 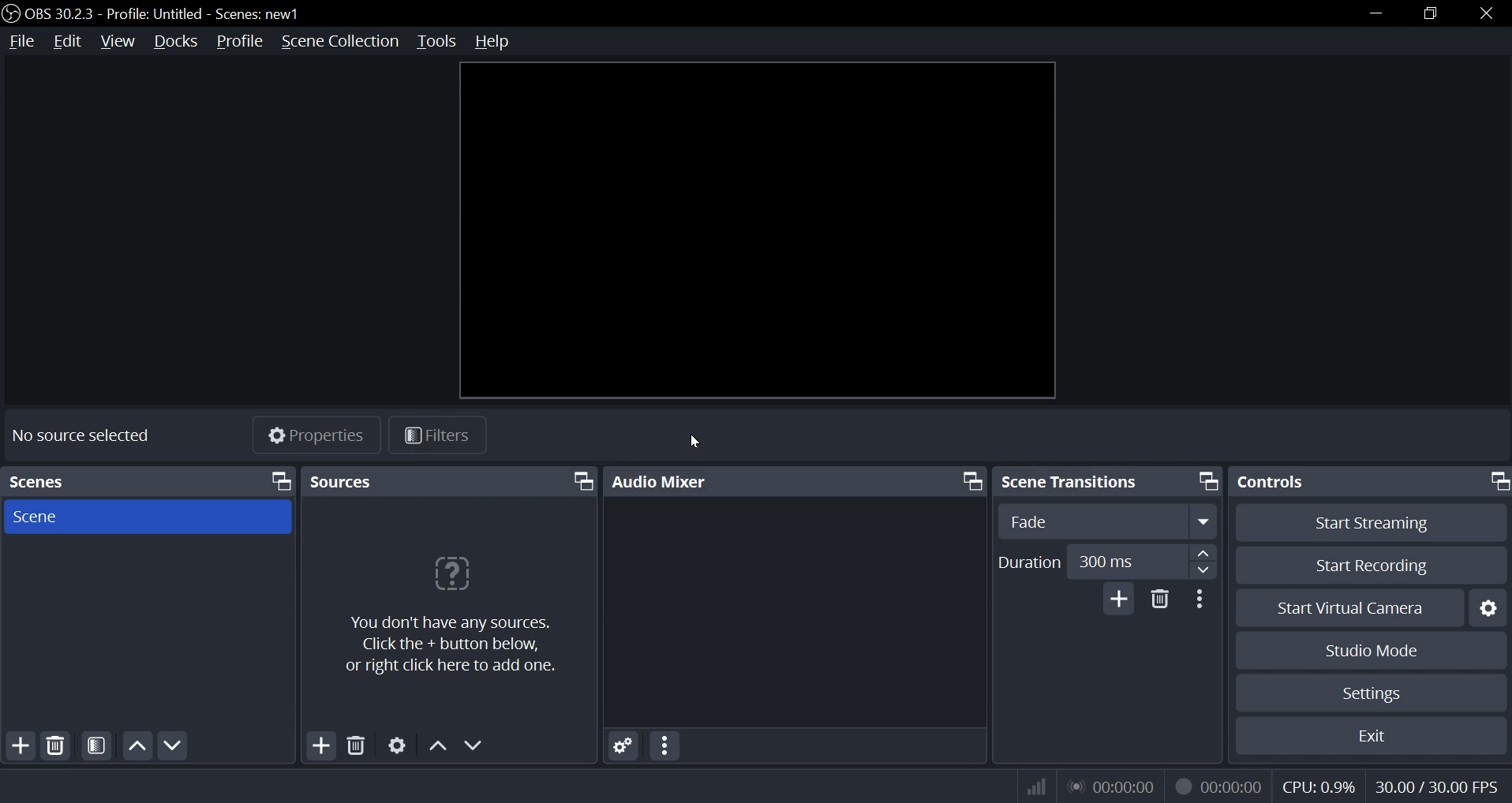 What do you see at coordinates (1030, 521) in the screenshot?
I see `fade` at bounding box center [1030, 521].